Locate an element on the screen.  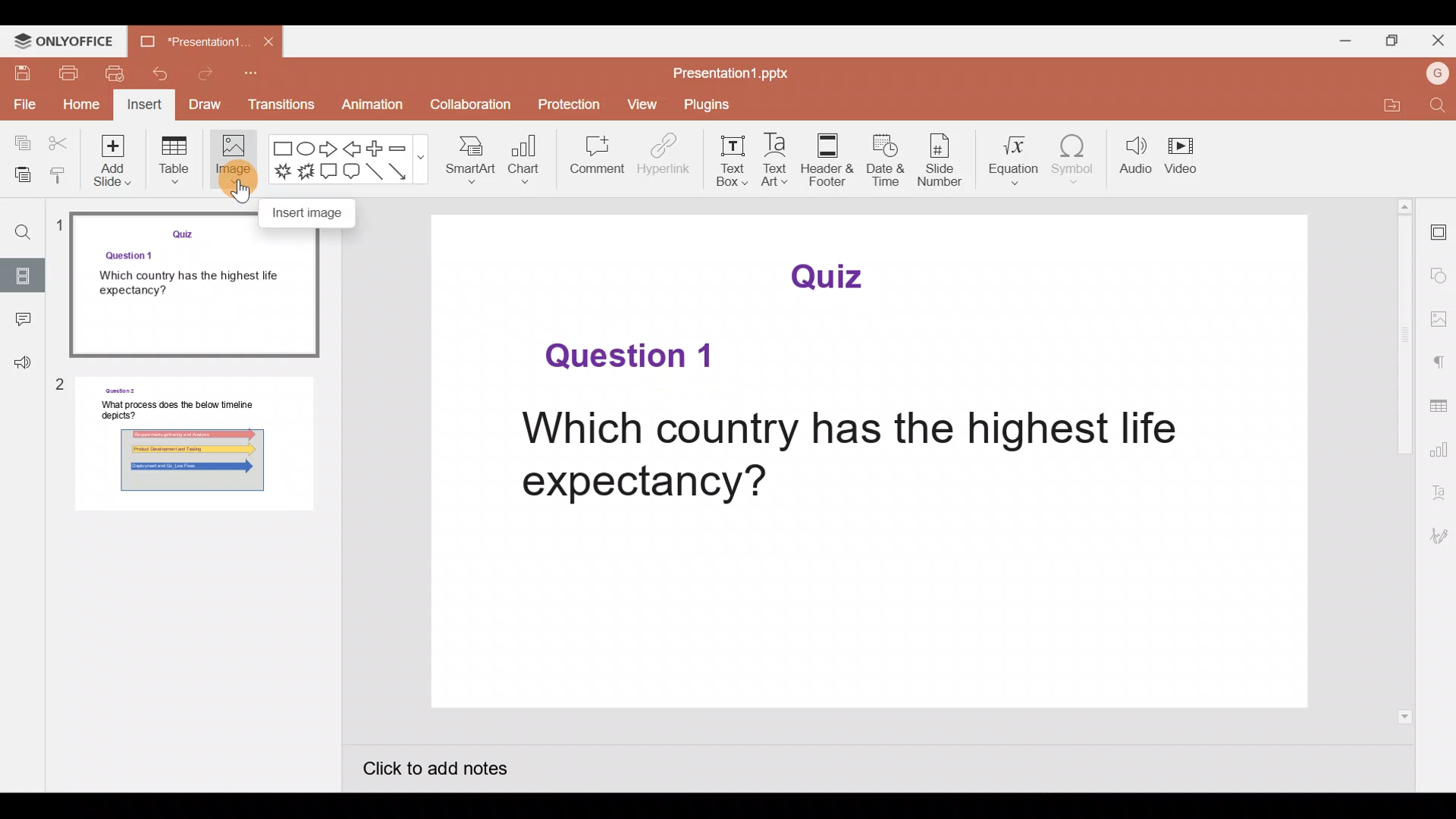
Protection is located at coordinates (569, 104).